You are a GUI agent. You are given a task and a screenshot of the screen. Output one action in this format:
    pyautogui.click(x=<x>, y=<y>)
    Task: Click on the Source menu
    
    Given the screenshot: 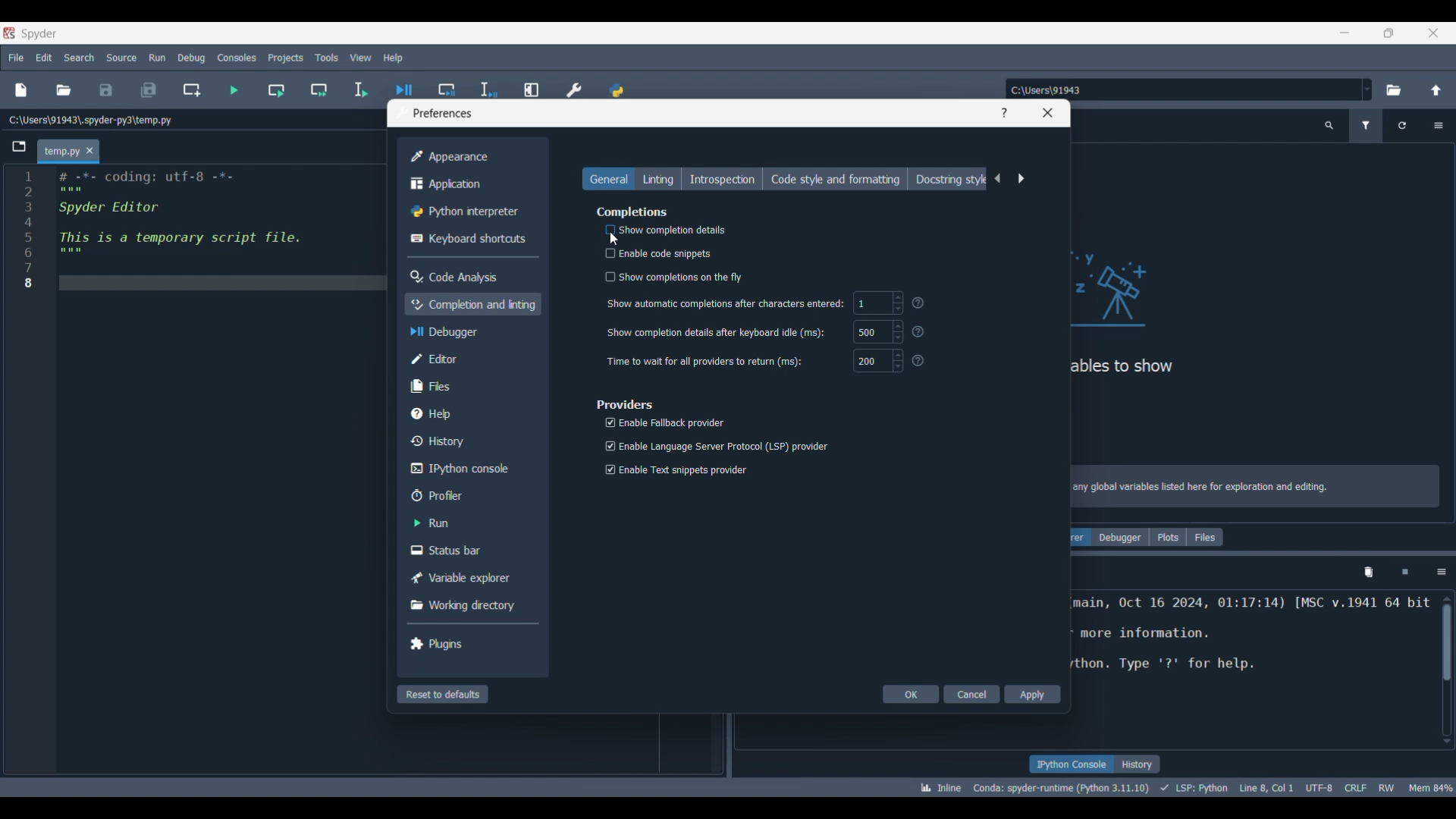 What is the action you would take?
    pyautogui.click(x=122, y=58)
    